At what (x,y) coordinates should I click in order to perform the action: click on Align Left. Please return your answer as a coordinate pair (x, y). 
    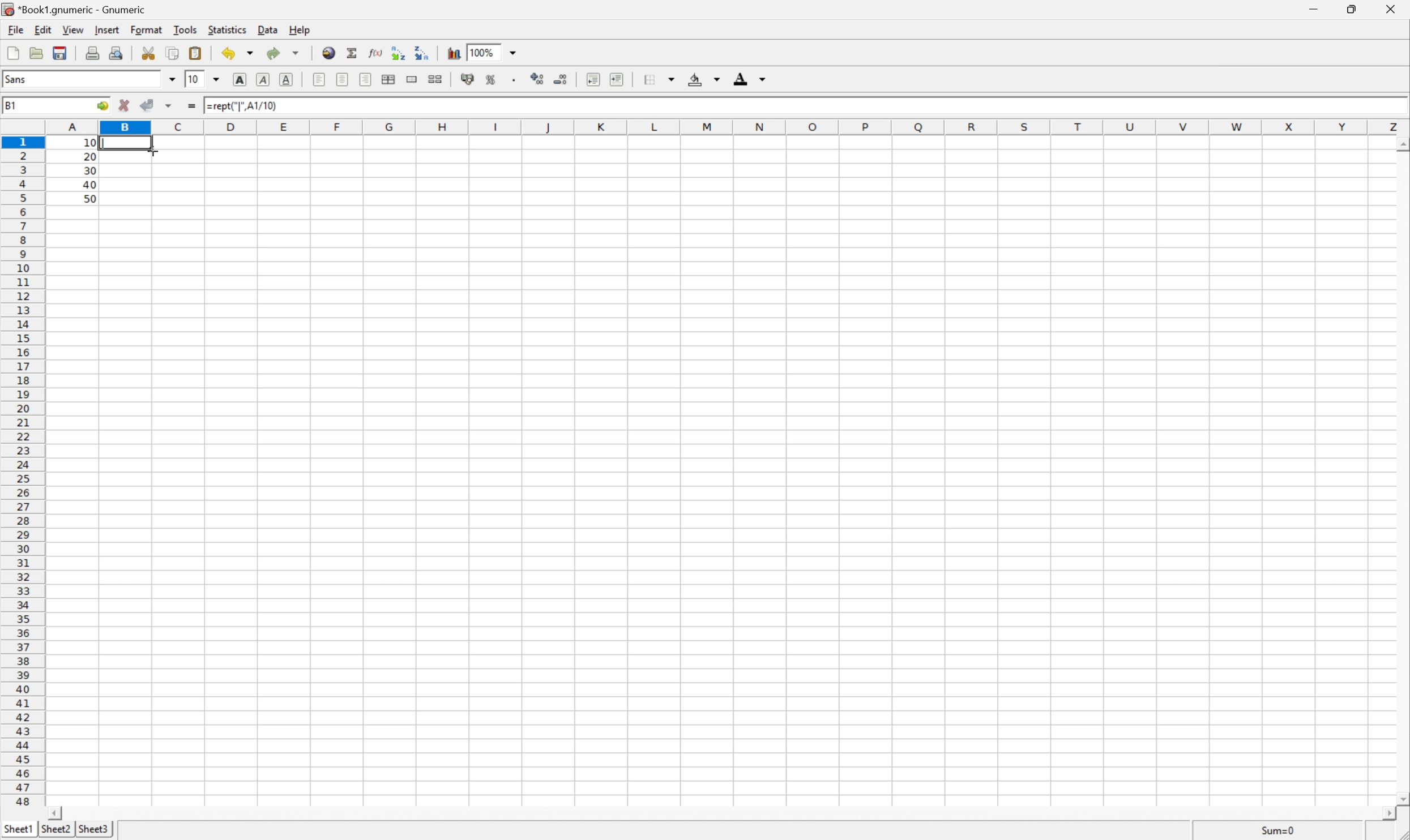
    Looking at the image, I should click on (318, 79).